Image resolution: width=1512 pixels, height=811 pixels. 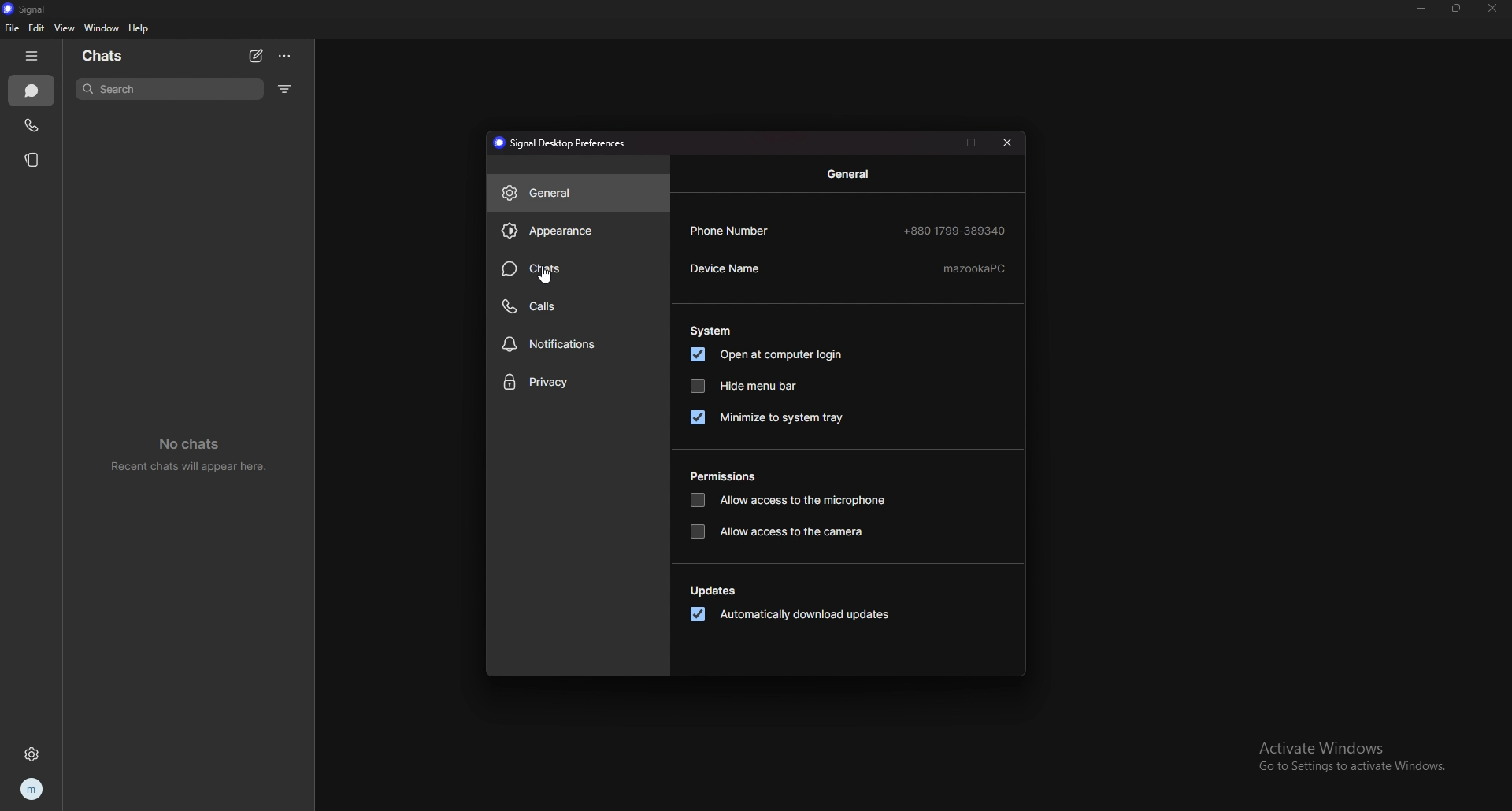 What do you see at coordinates (191, 452) in the screenshot?
I see `recent chats will appear here` at bounding box center [191, 452].